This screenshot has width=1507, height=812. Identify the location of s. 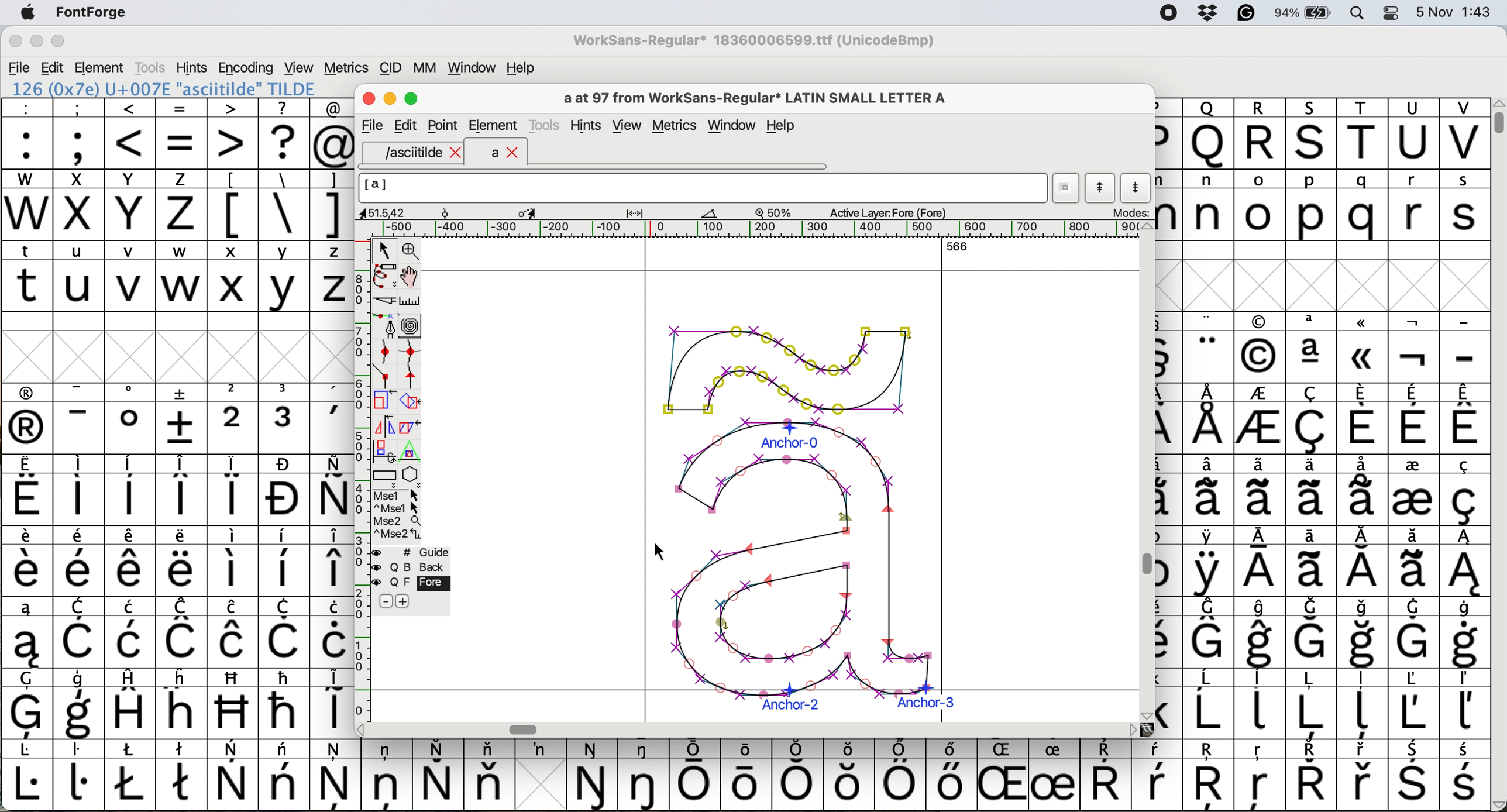
(1465, 205).